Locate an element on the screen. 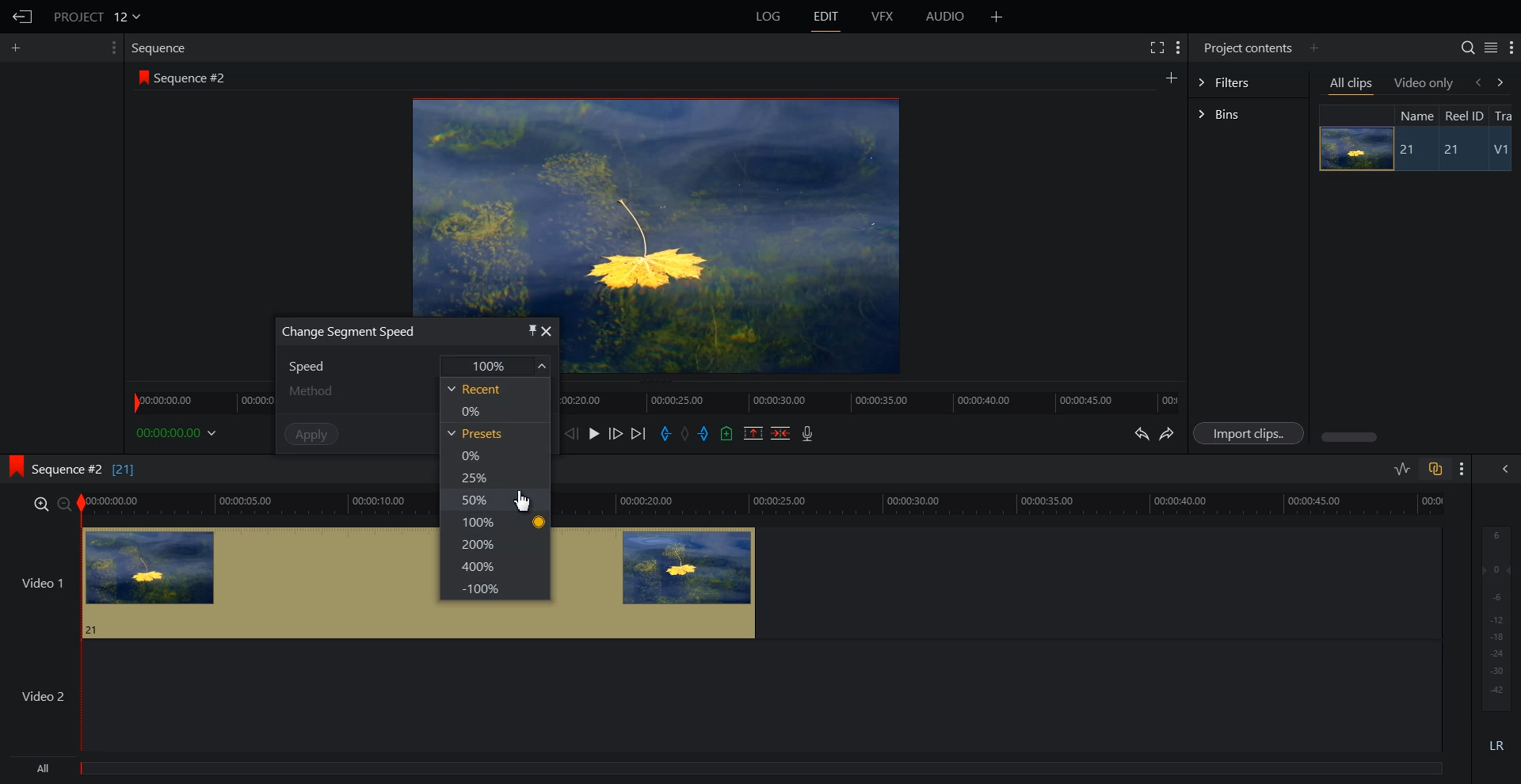  LR is located at coordinates (1497, 743).